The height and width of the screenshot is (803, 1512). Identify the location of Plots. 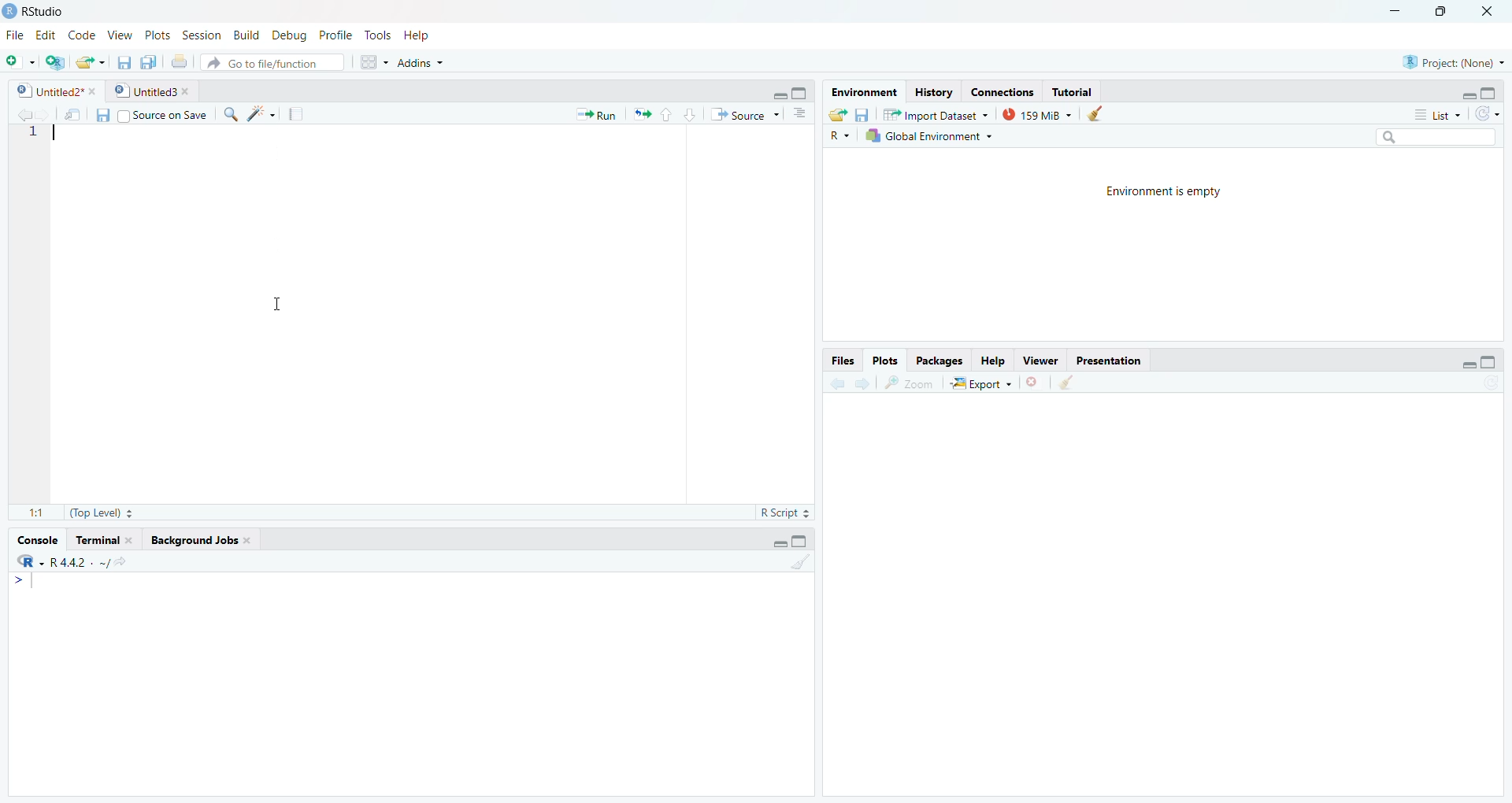
(884, 362).